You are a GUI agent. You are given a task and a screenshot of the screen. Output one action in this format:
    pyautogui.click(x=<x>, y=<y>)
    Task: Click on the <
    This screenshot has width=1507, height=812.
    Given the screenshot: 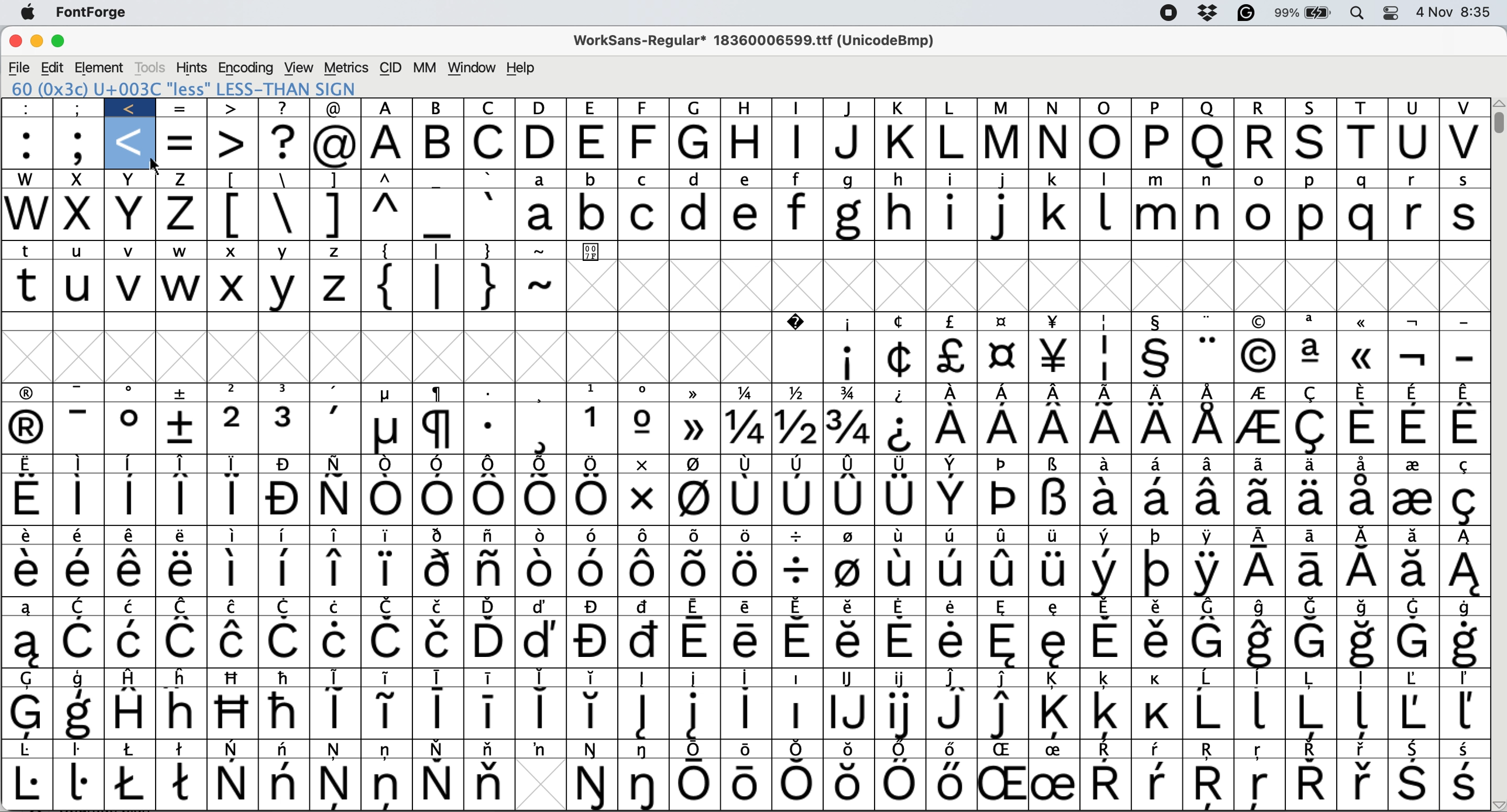 What is the action you would take?
    pyautogui.click(x=132, y=108)
    